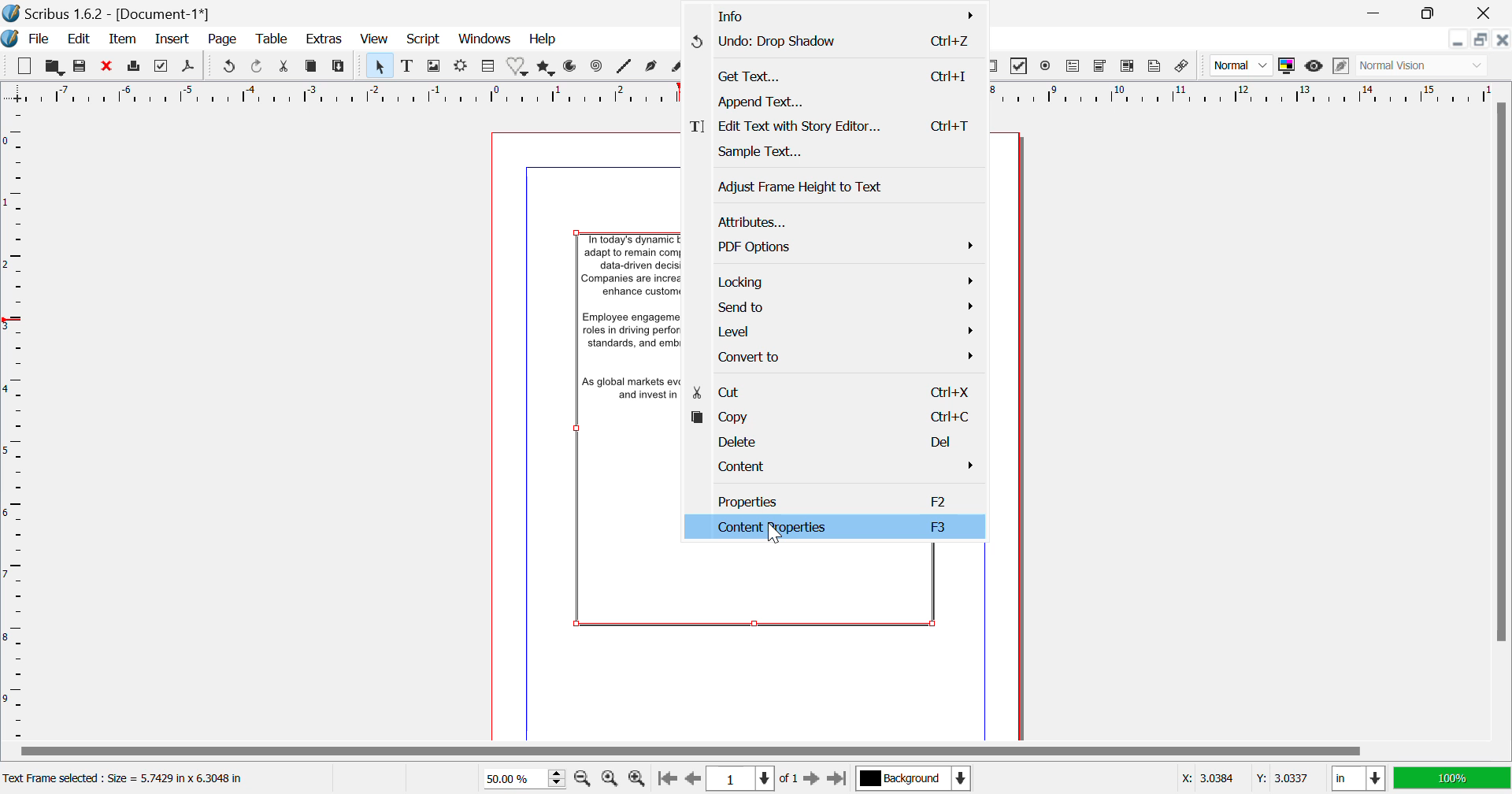 The width and height of the screenshot is (1512, 794). Describe the element at coordinates (82, 66) in the screenshot. I see `Save` at that location.